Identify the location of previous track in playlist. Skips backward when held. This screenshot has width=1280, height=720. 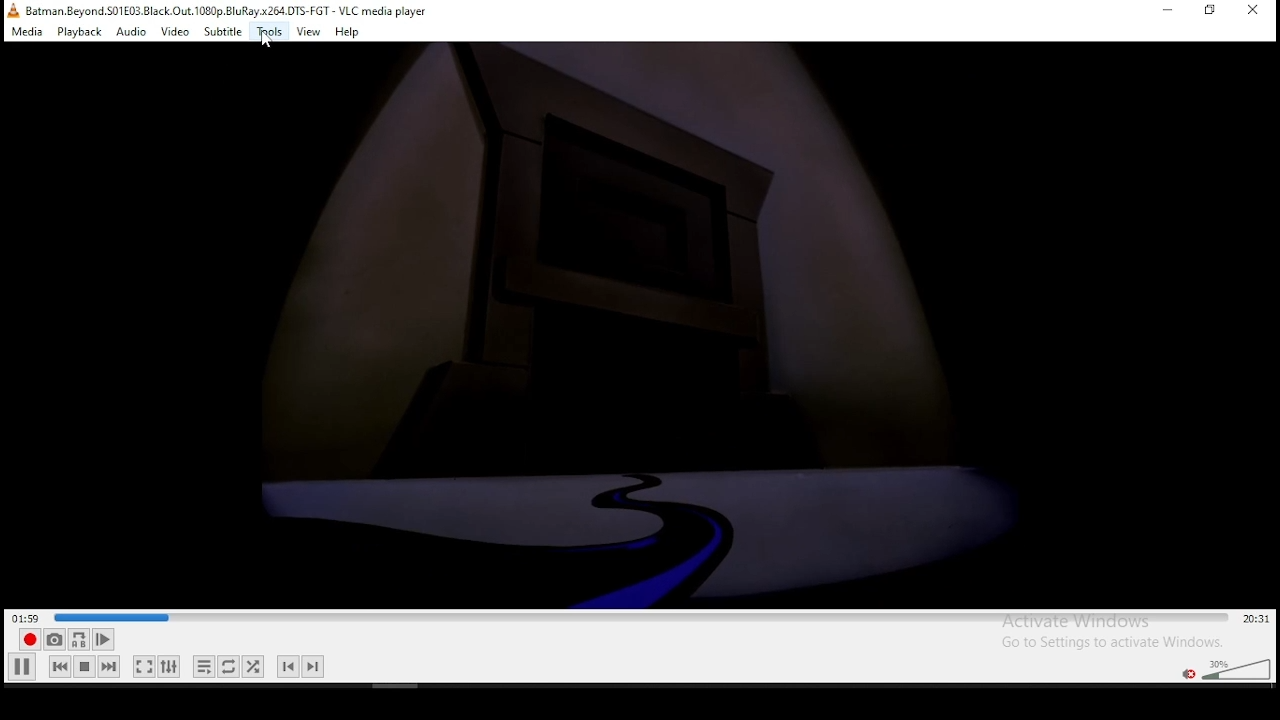
(59, 665).